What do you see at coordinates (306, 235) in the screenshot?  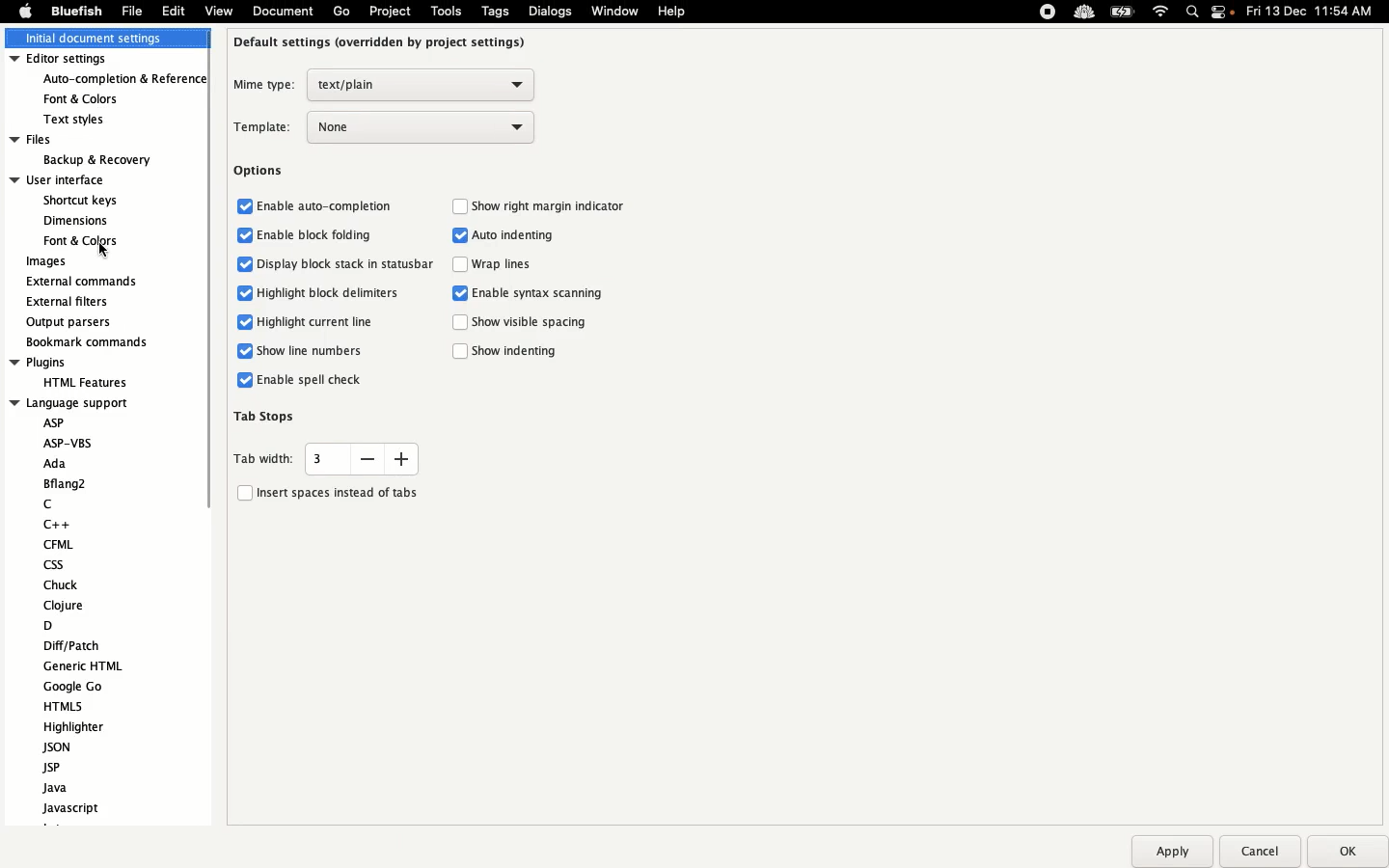 I see `Enable block folding` at bounding box center [306, 235].